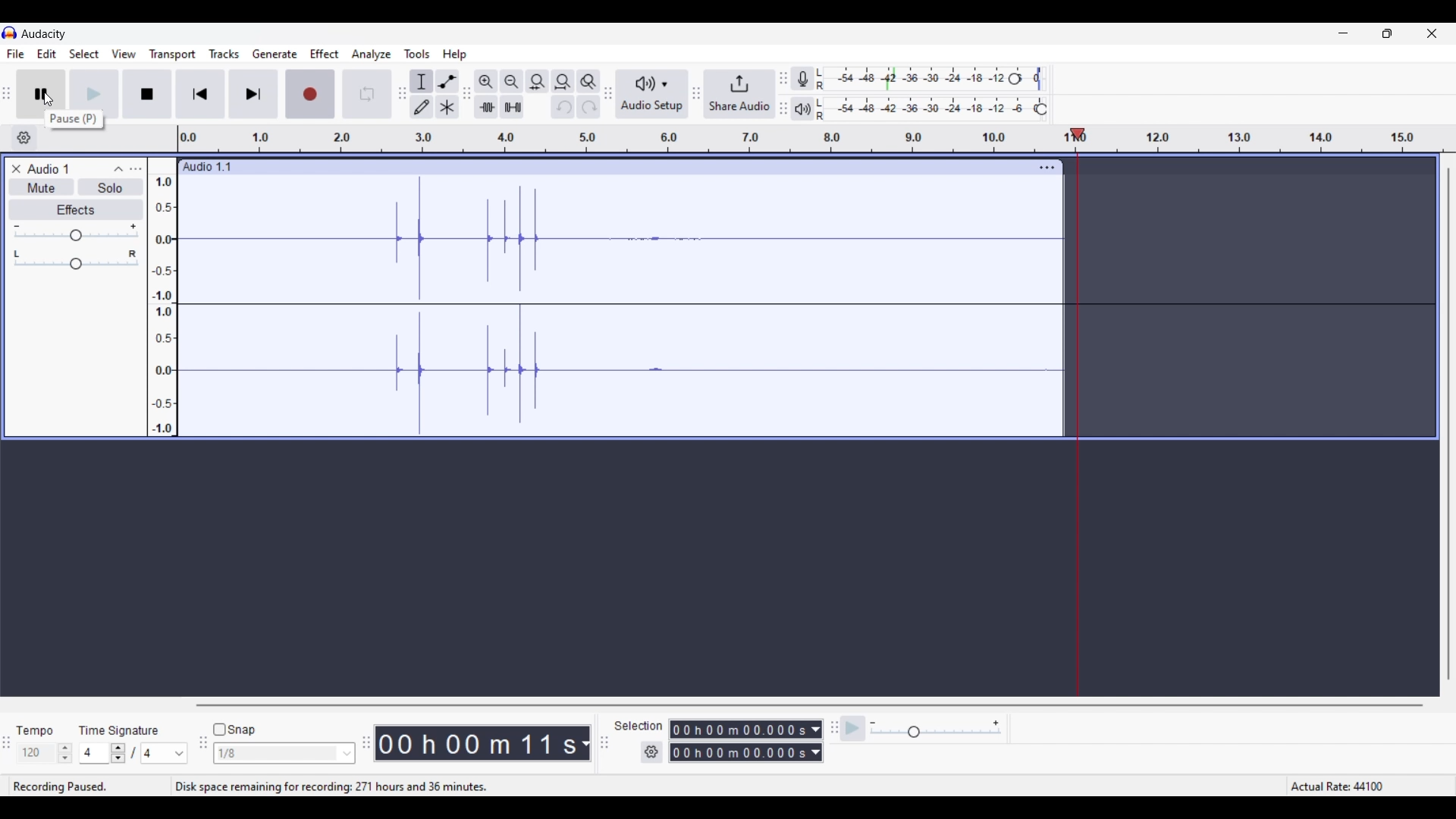  I want to click on Measurement for selection duration, so click(816, 741).